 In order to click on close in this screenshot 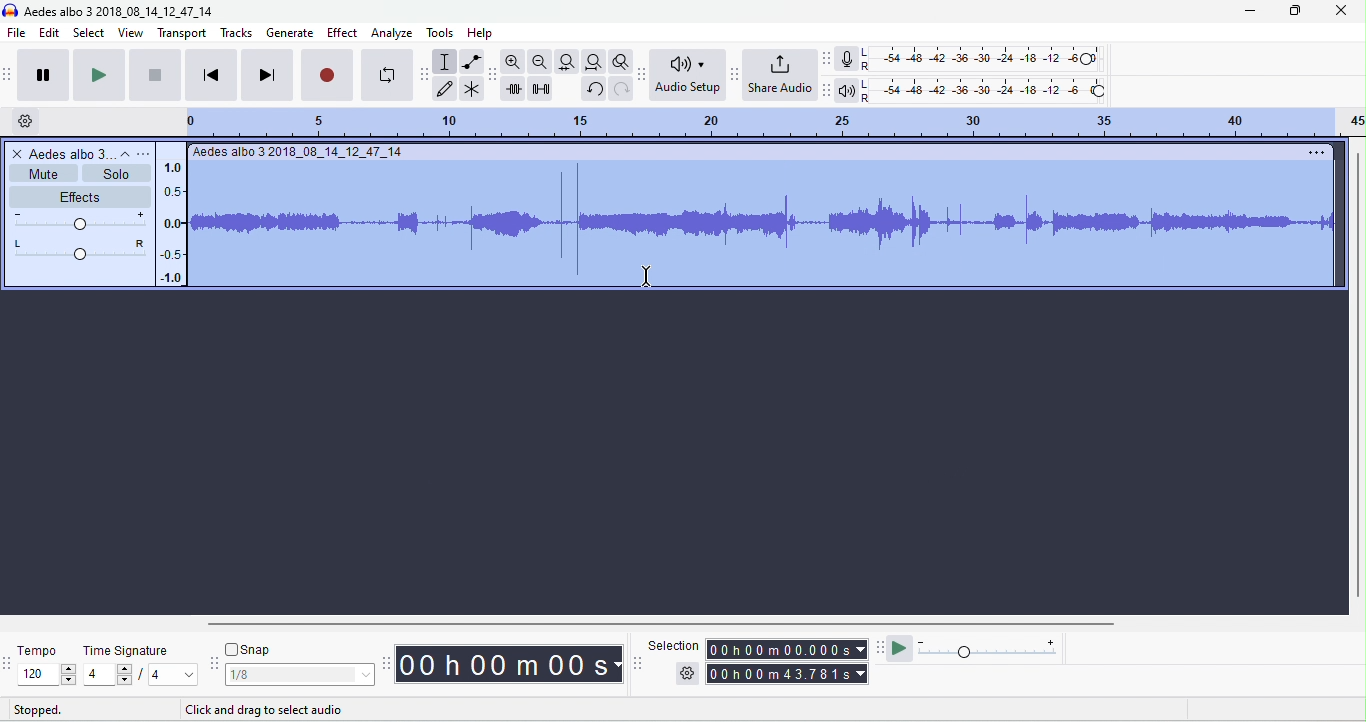, I will do `click(1342, 9)`.